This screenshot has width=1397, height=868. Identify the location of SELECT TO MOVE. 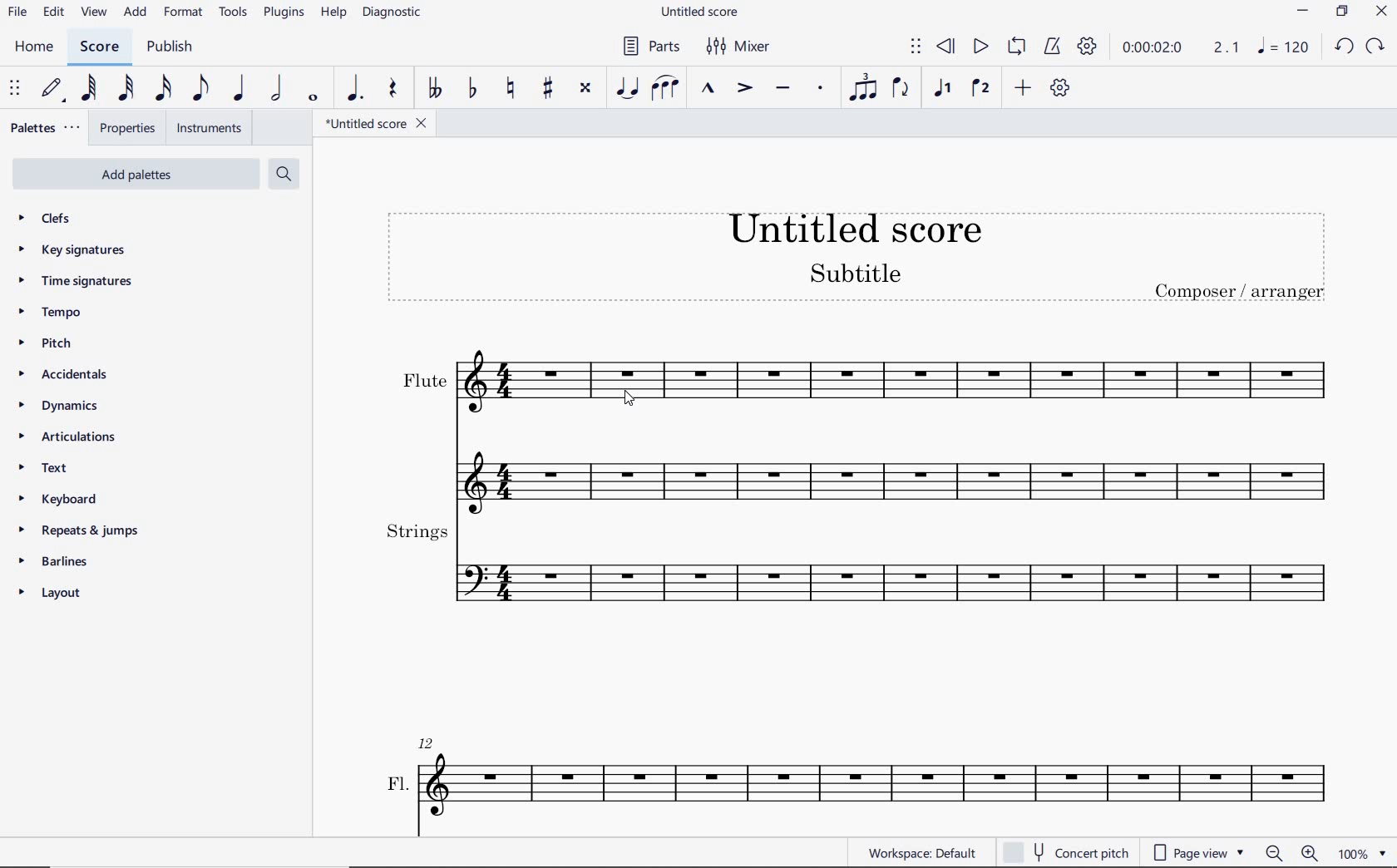
(916, 47).